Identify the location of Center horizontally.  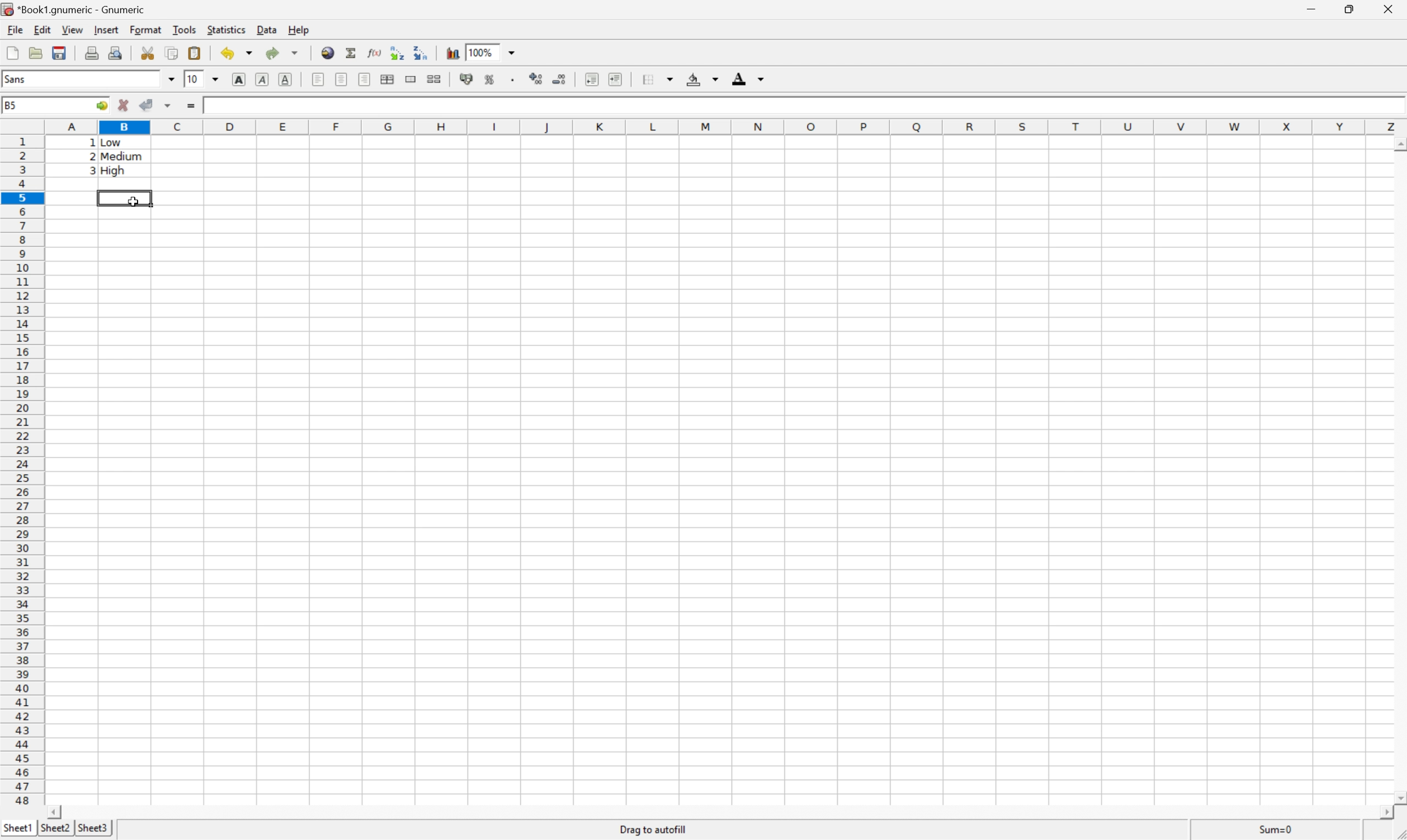
(342, 78).